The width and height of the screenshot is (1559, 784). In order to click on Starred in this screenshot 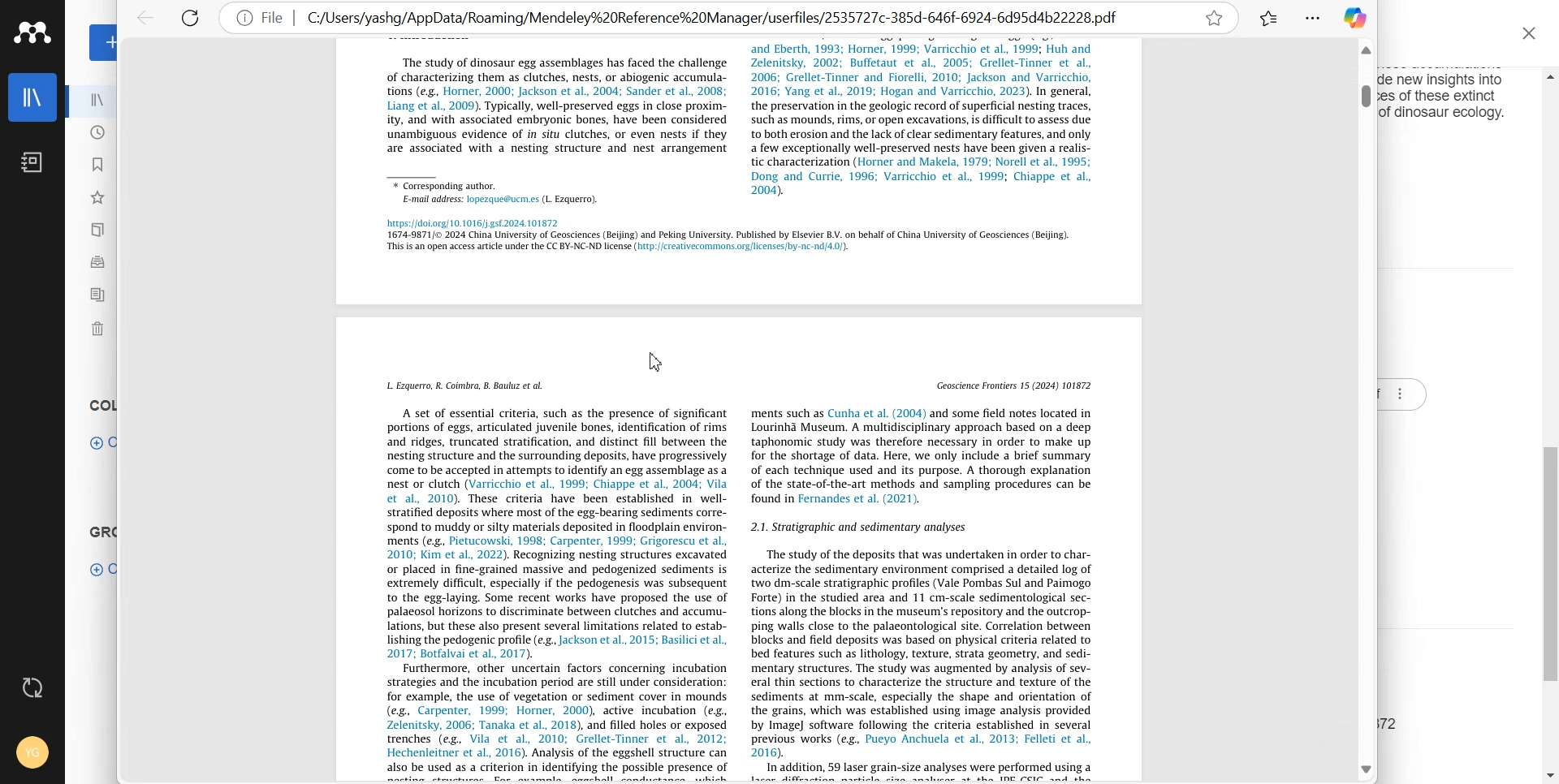, I will do `click(1213, 18)`.